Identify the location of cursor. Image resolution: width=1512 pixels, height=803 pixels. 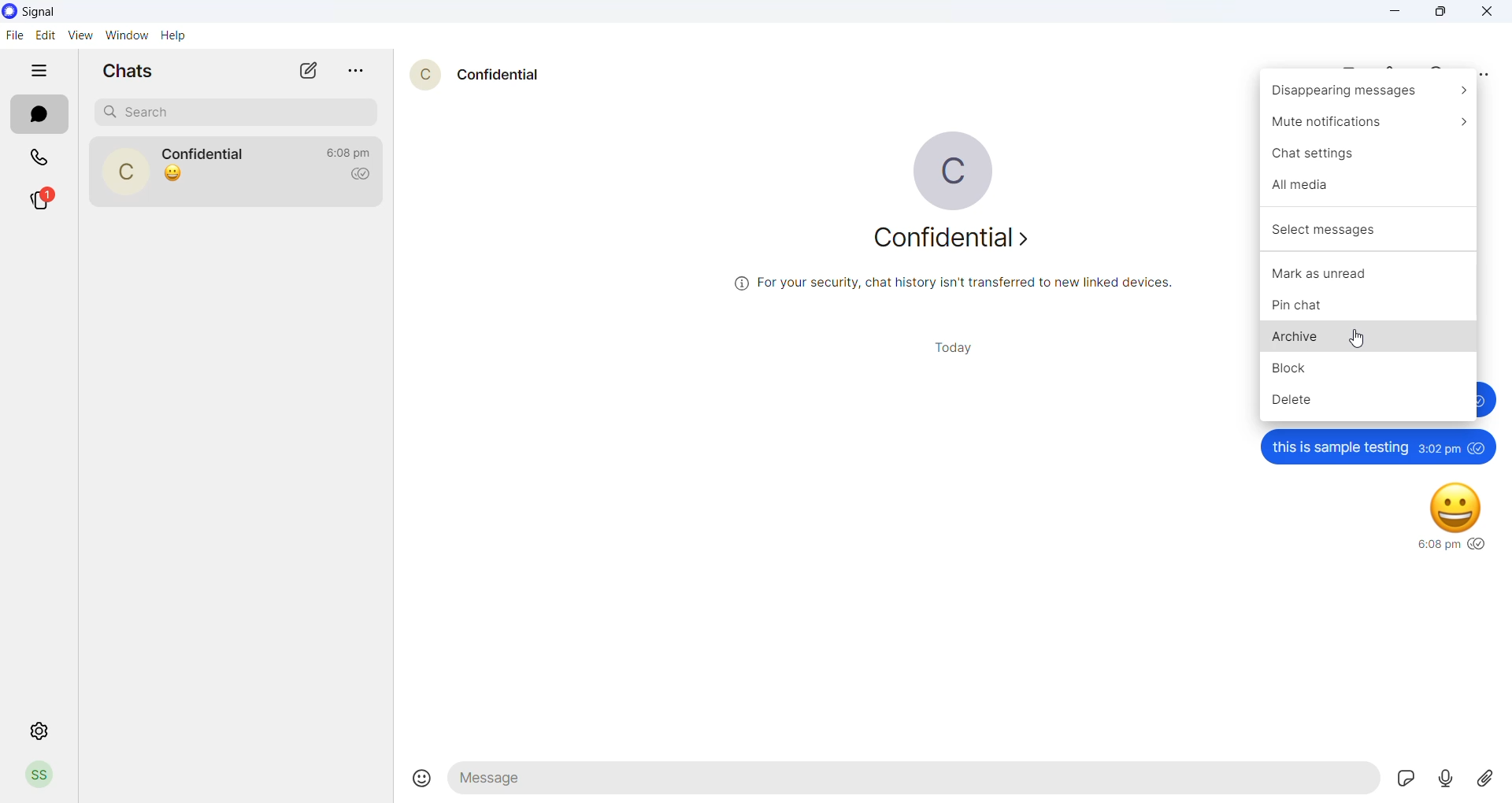
(1359, 338).